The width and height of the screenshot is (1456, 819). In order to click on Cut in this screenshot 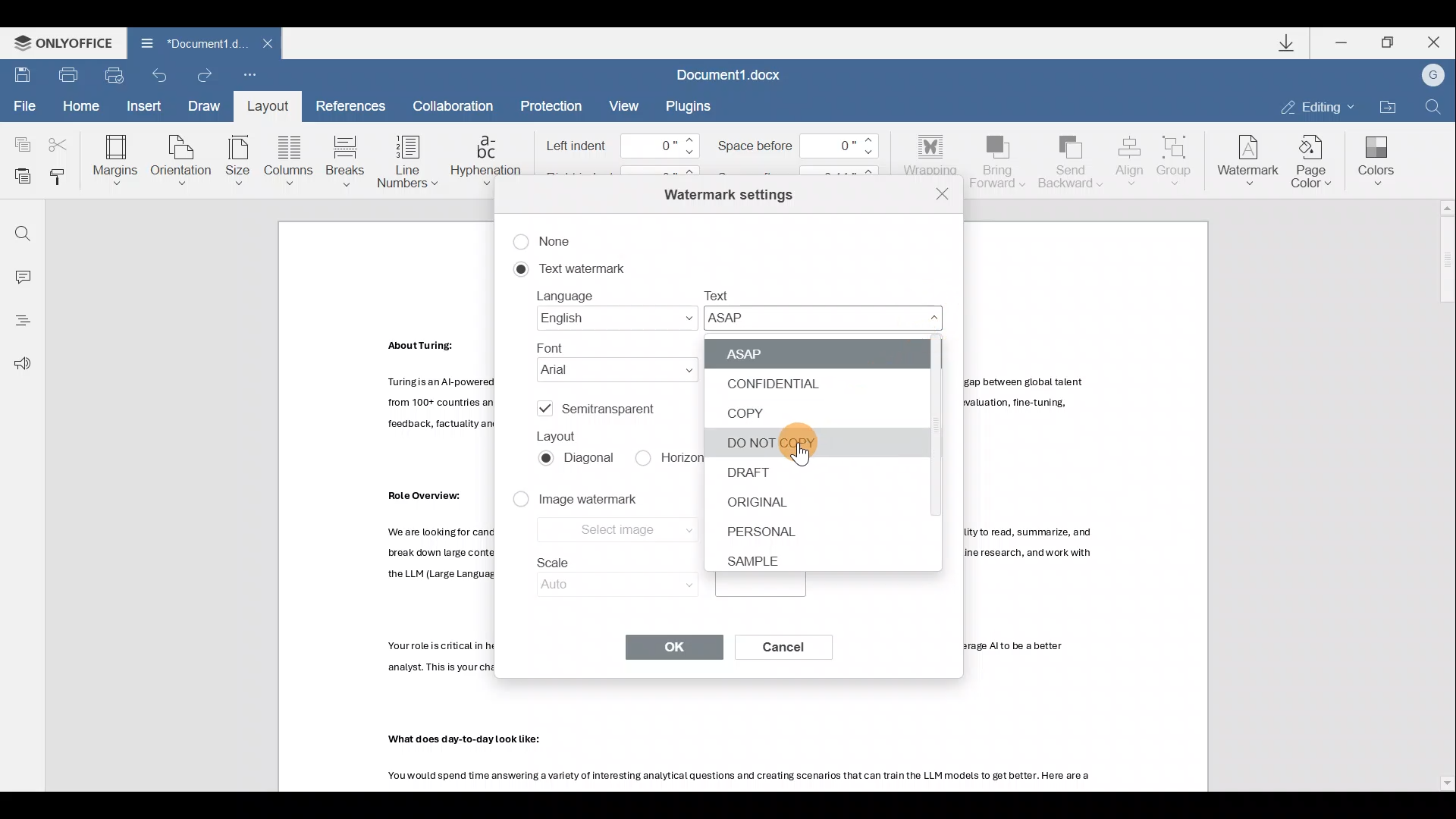, I will do `click(58, 142)`.